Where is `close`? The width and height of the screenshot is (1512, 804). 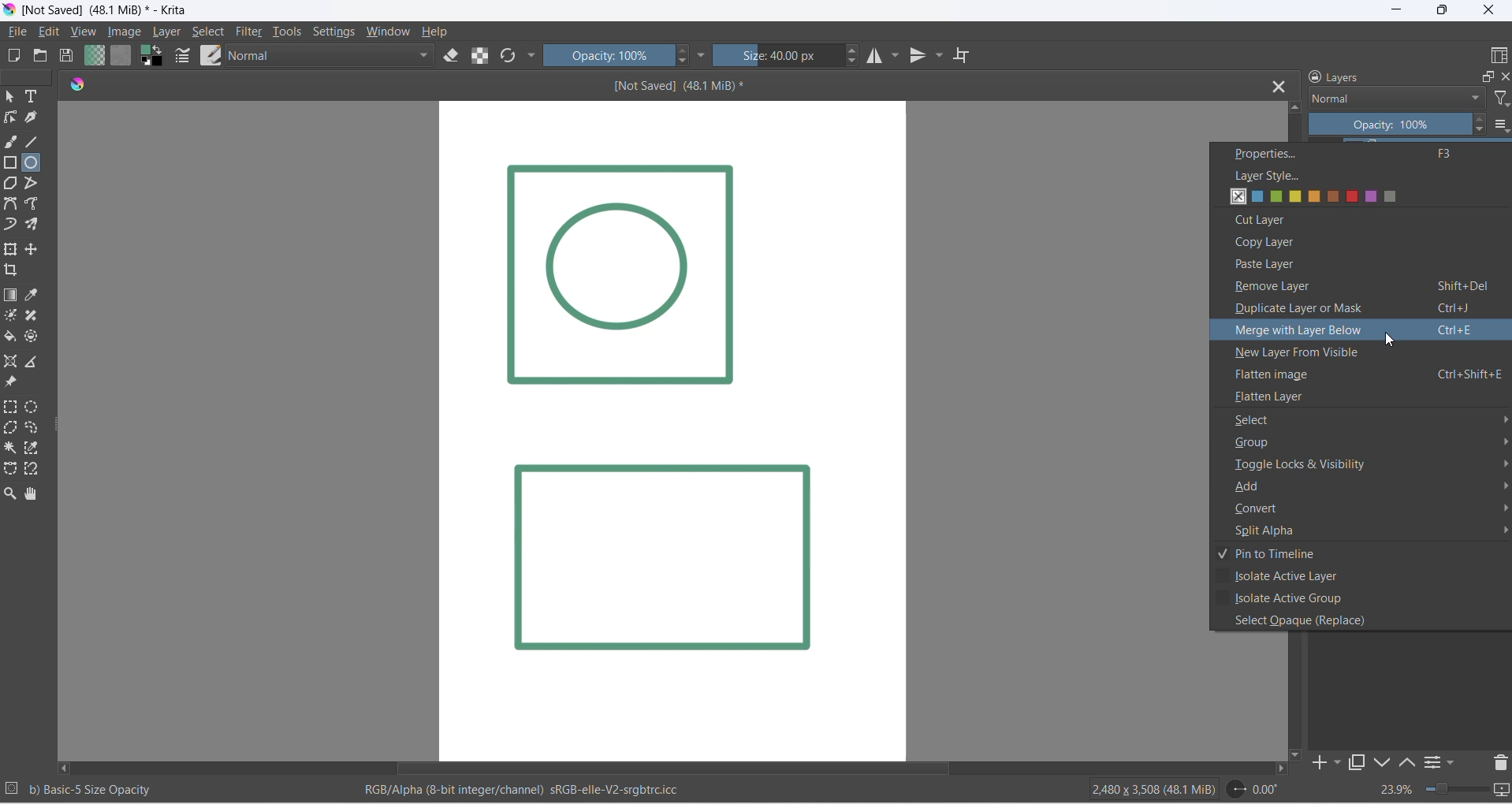 close is located at coordinates (1490, 11).